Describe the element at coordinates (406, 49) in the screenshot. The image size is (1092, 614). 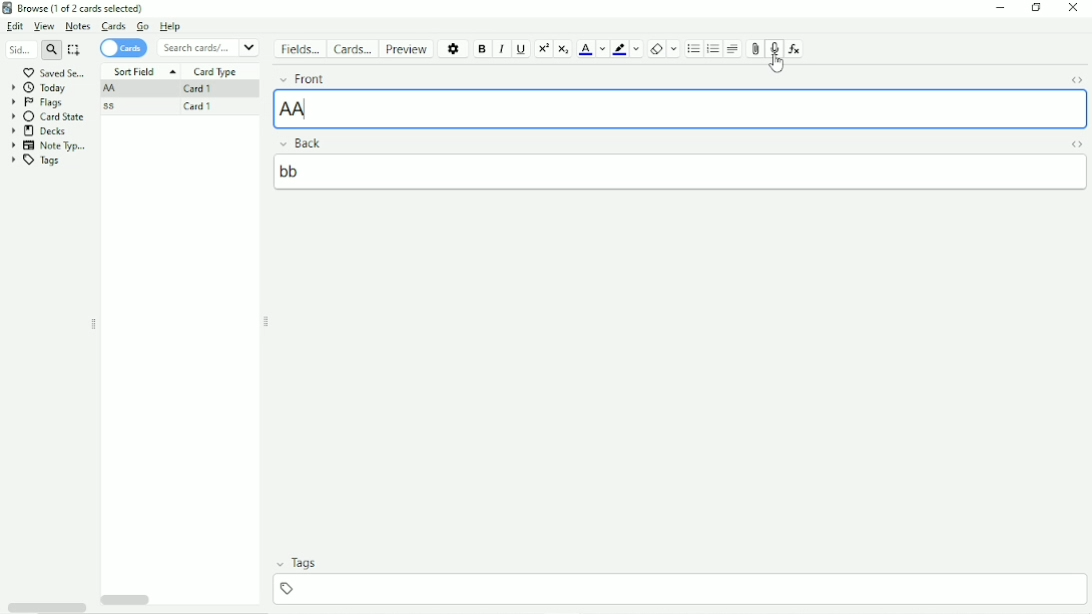
I see `Preview` at that location.